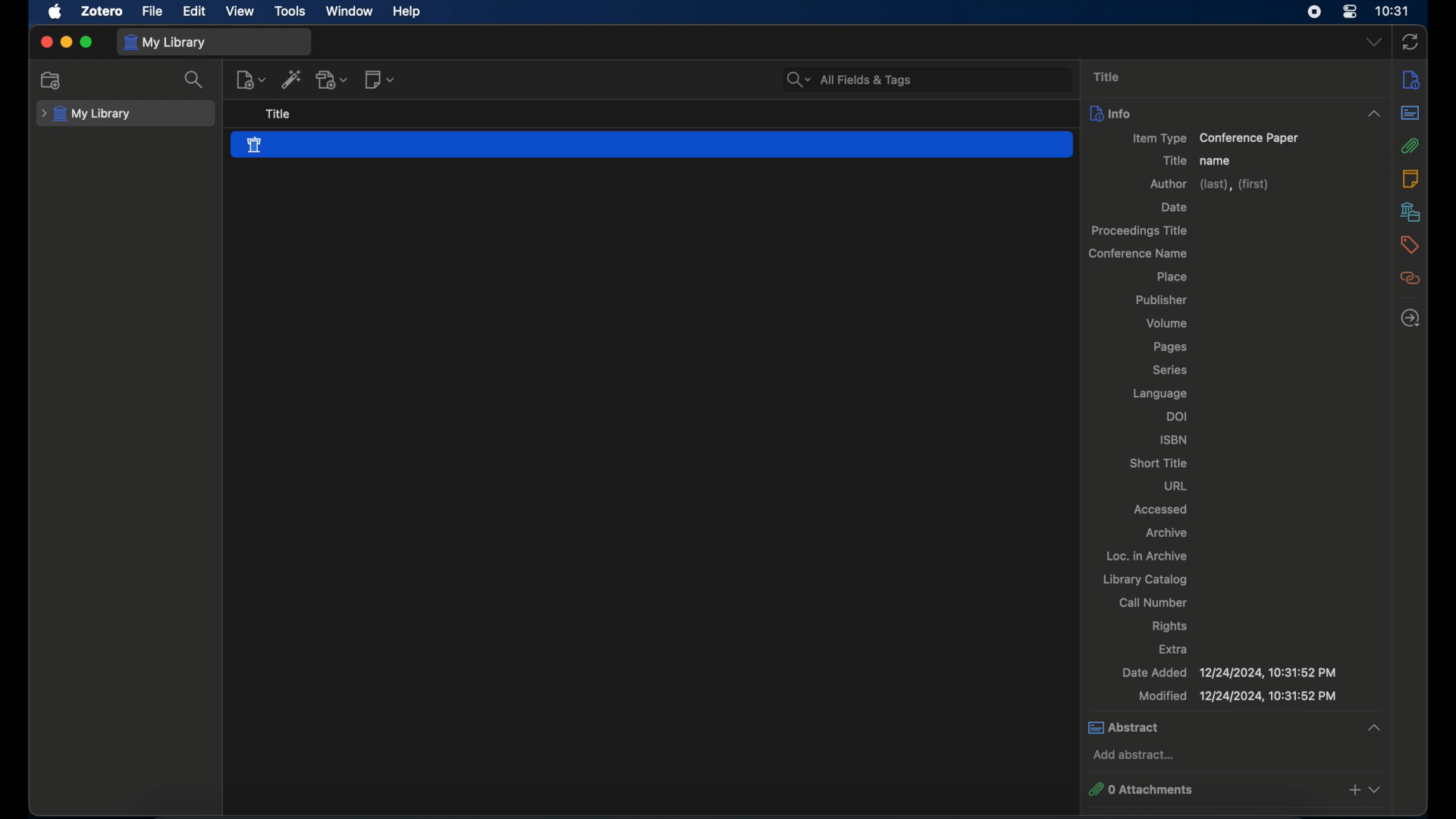 The height and width of the screenshot is (819, 1456). Describe the element at coordinates (1374, 113) in the screenshot. I see `dropdown` at that location.